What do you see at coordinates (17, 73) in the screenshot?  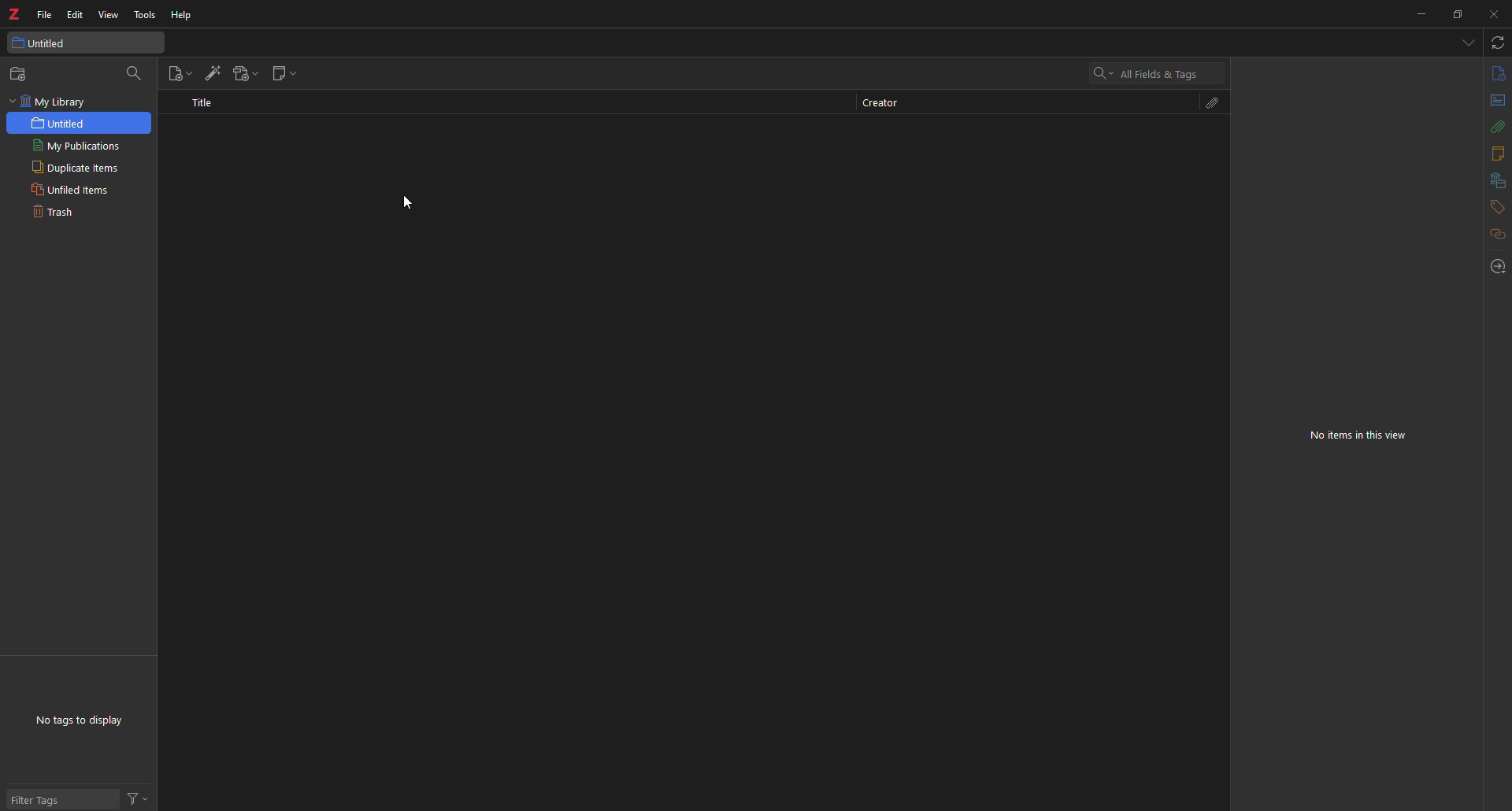 I see `new collection` at bounding box center [17, 73].